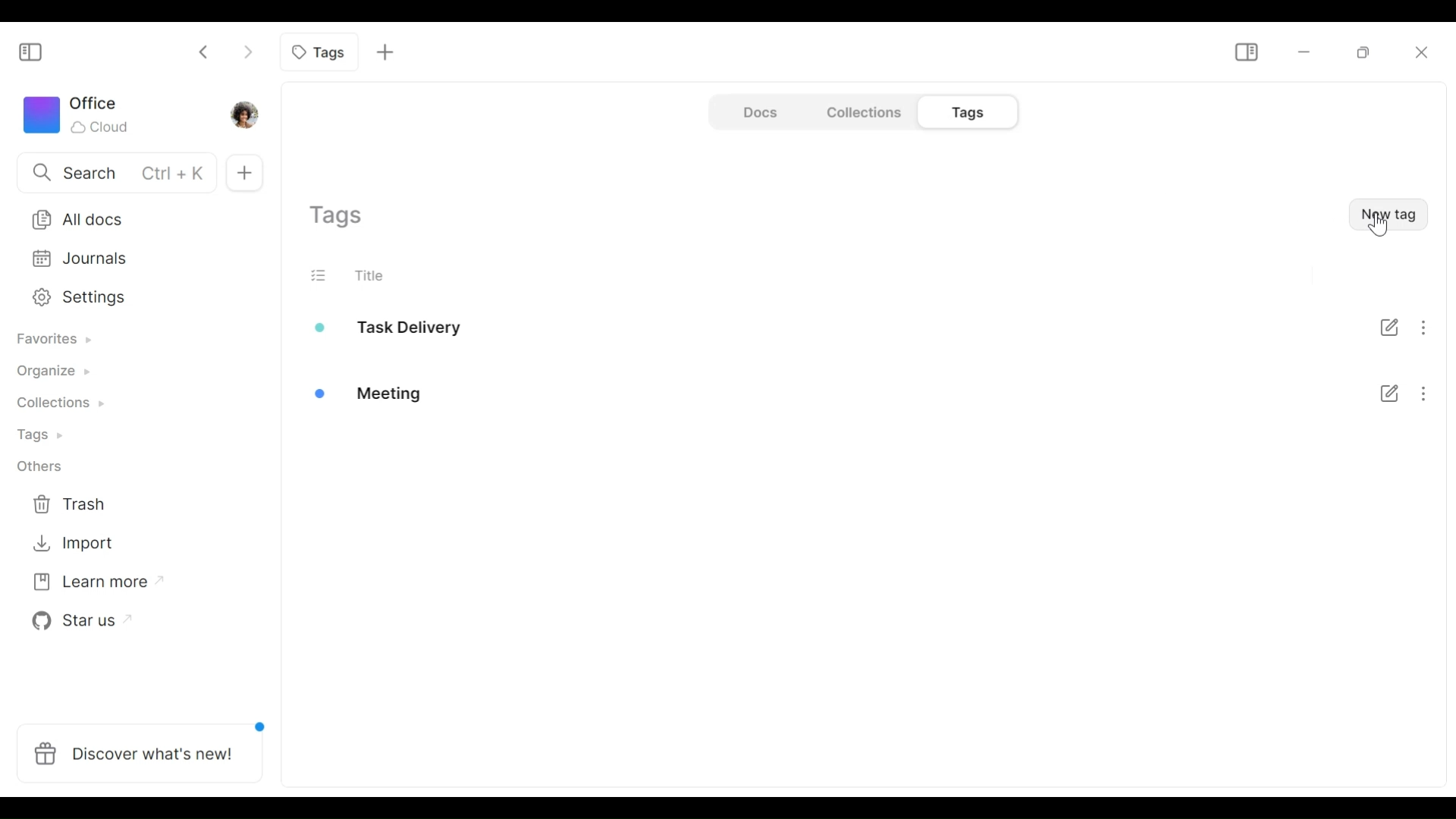 Image resolution: width=1456 pixels, height=819 pixels. Describe the element at coordinates (380, 275) in the screenshot. I see `Title` at that location.